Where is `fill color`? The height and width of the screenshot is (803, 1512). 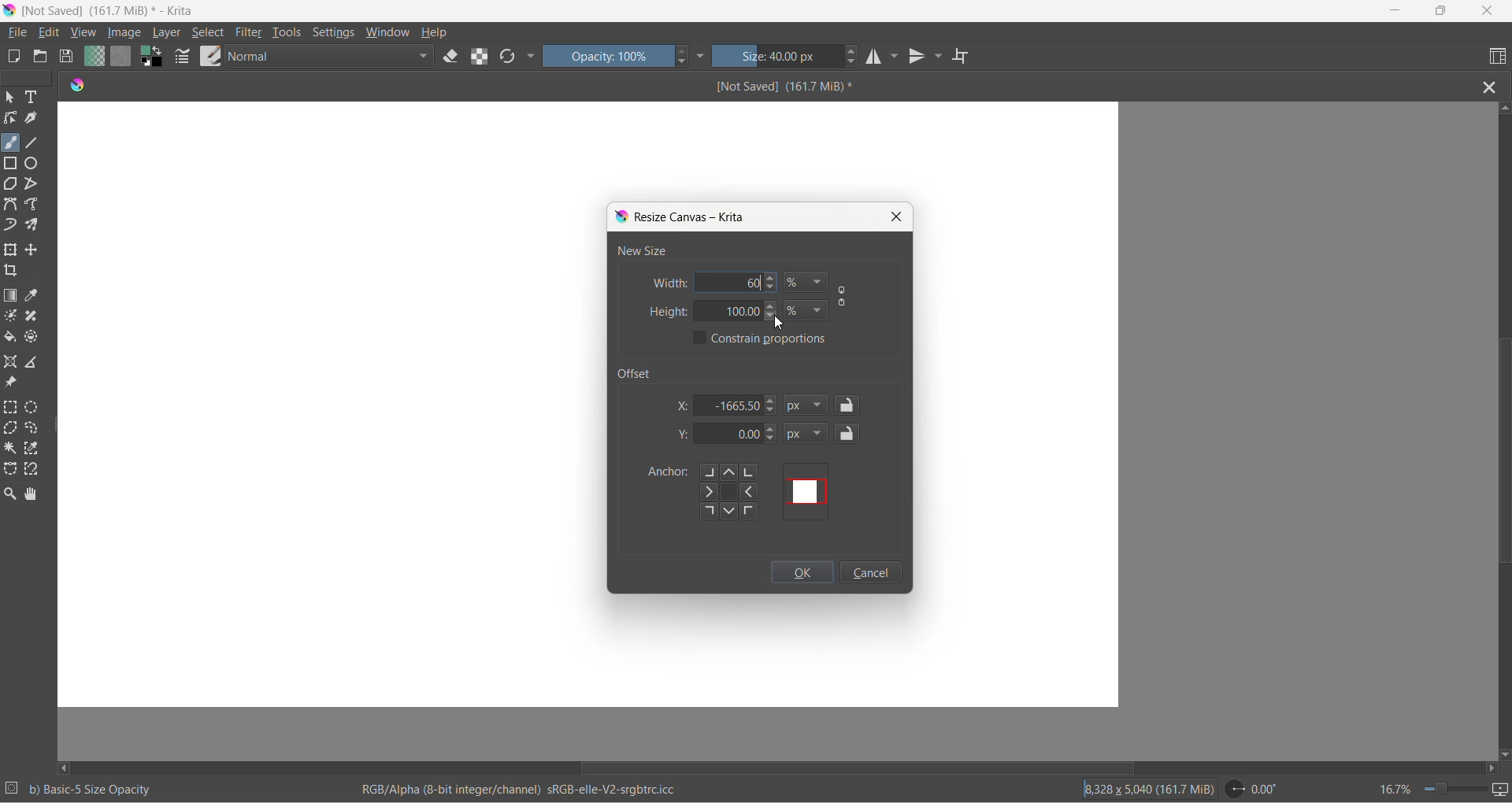 fill color is located at coordinates (11, 339).